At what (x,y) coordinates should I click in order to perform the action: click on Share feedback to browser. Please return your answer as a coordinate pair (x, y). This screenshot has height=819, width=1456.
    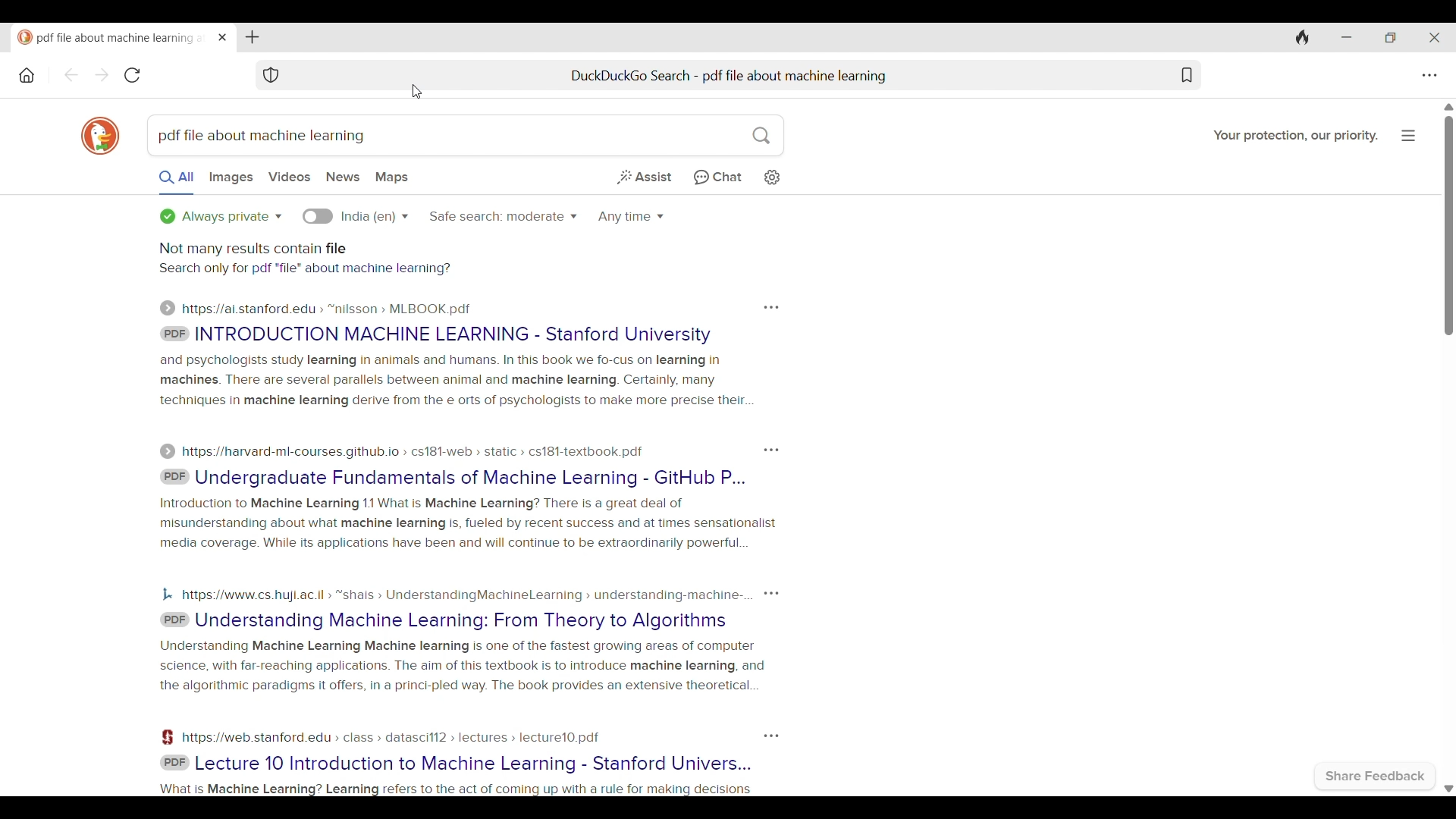
    Looking at the image, I should click on (1376, 776).